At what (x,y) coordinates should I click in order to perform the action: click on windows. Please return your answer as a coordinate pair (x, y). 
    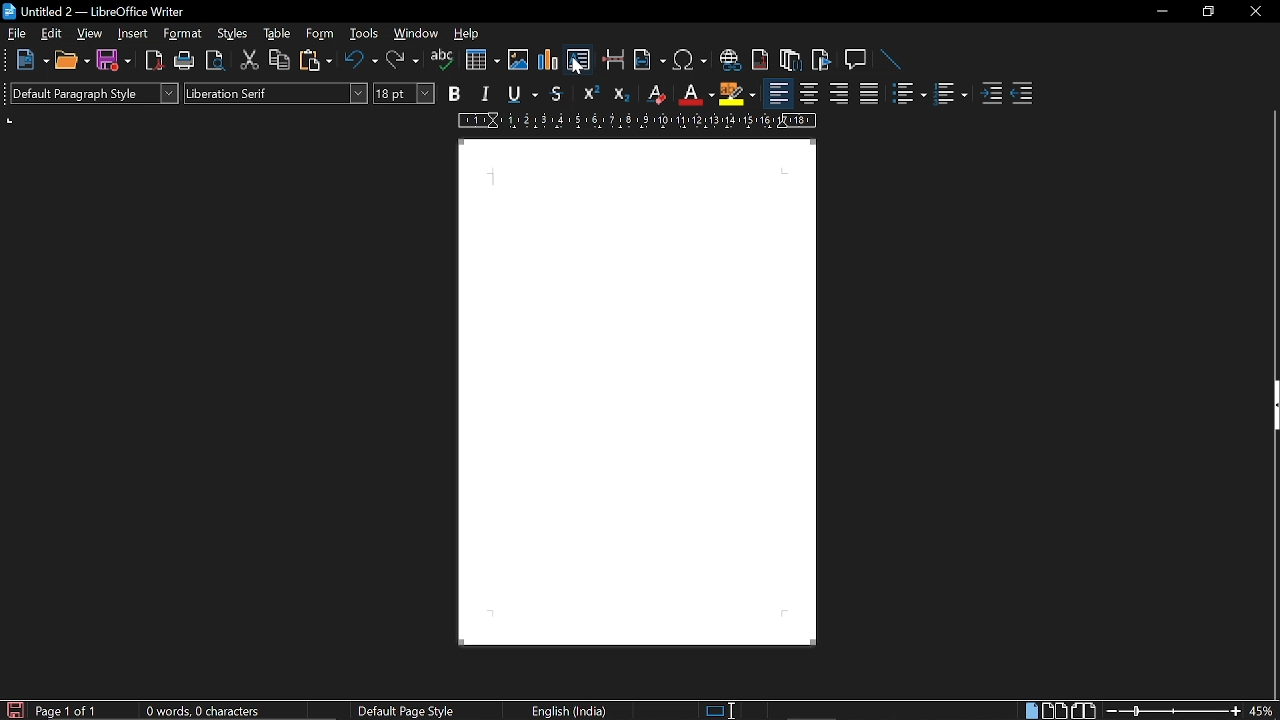
    Looking at the image, I should click on (416, 35).